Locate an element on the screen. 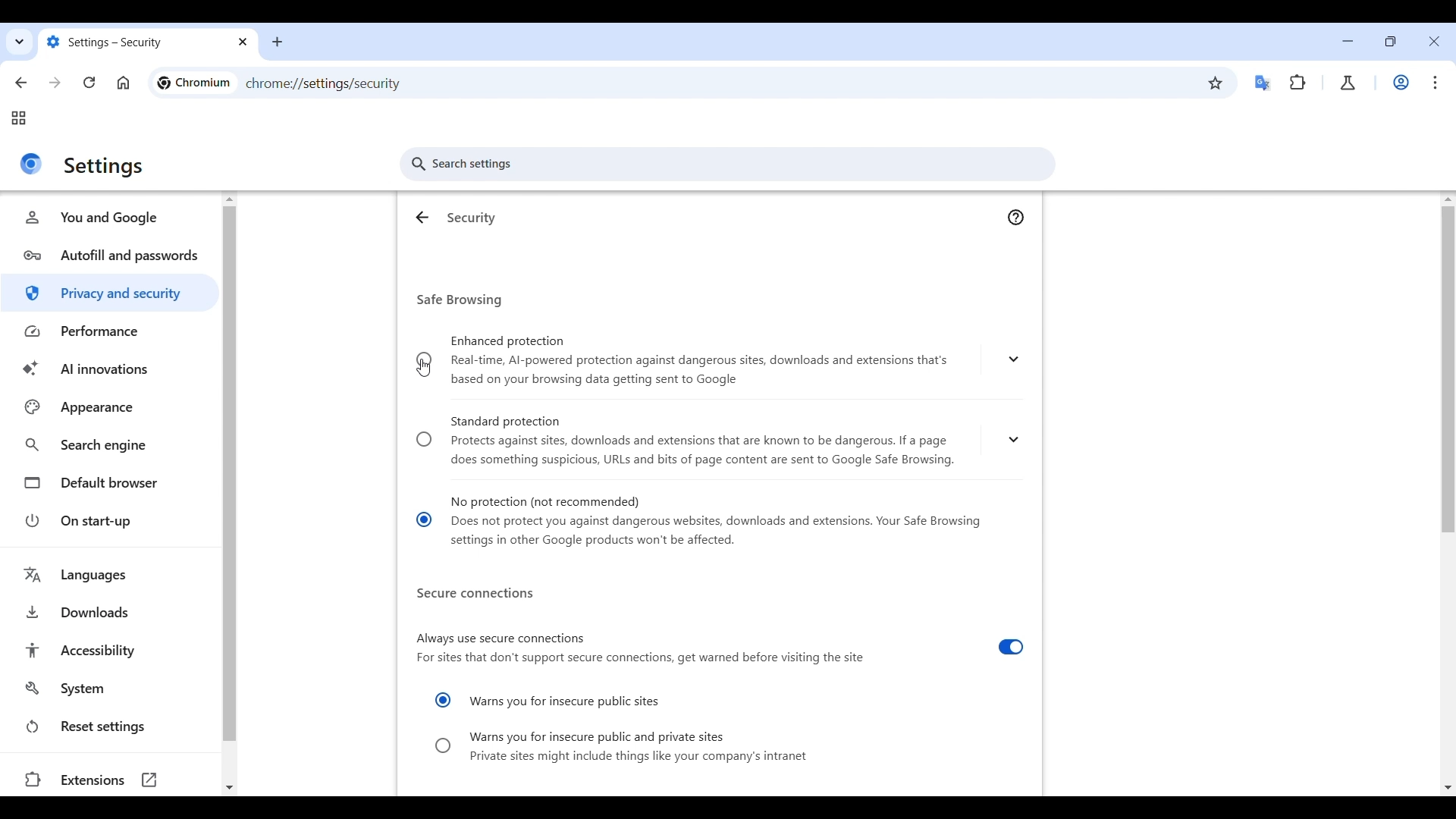  Chrome labs is located at coordinates (1348, 83).